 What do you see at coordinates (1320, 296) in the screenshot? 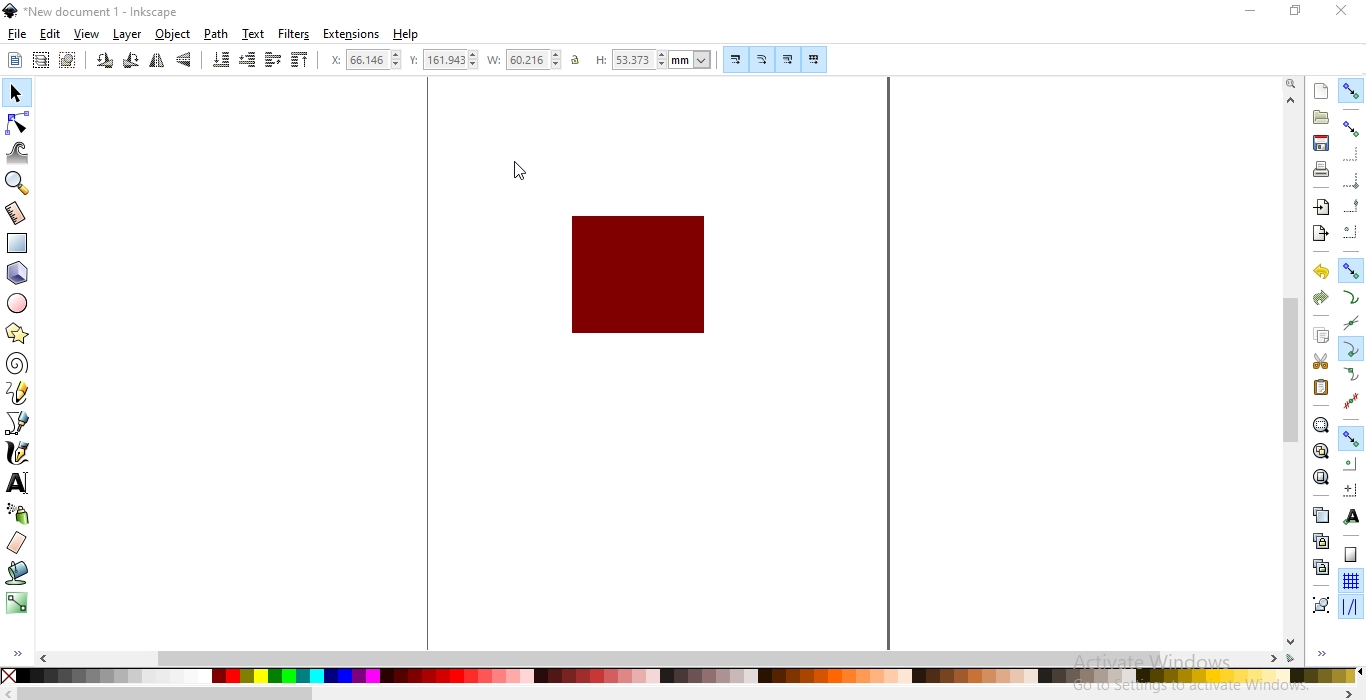
I see `redo an action` at bounding box center [1320, 296].